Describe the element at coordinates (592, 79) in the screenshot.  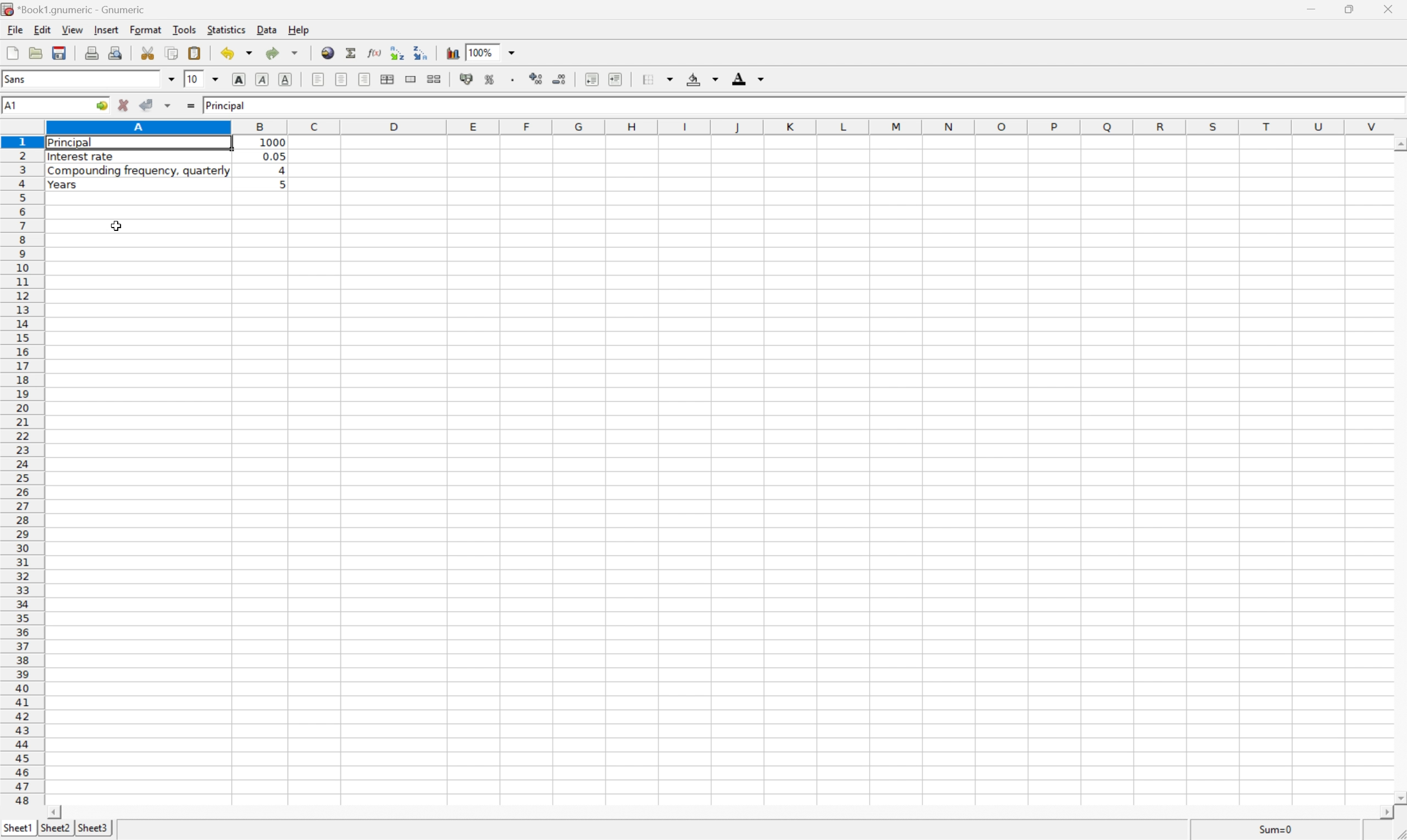
I see `decrease indent` at that location.